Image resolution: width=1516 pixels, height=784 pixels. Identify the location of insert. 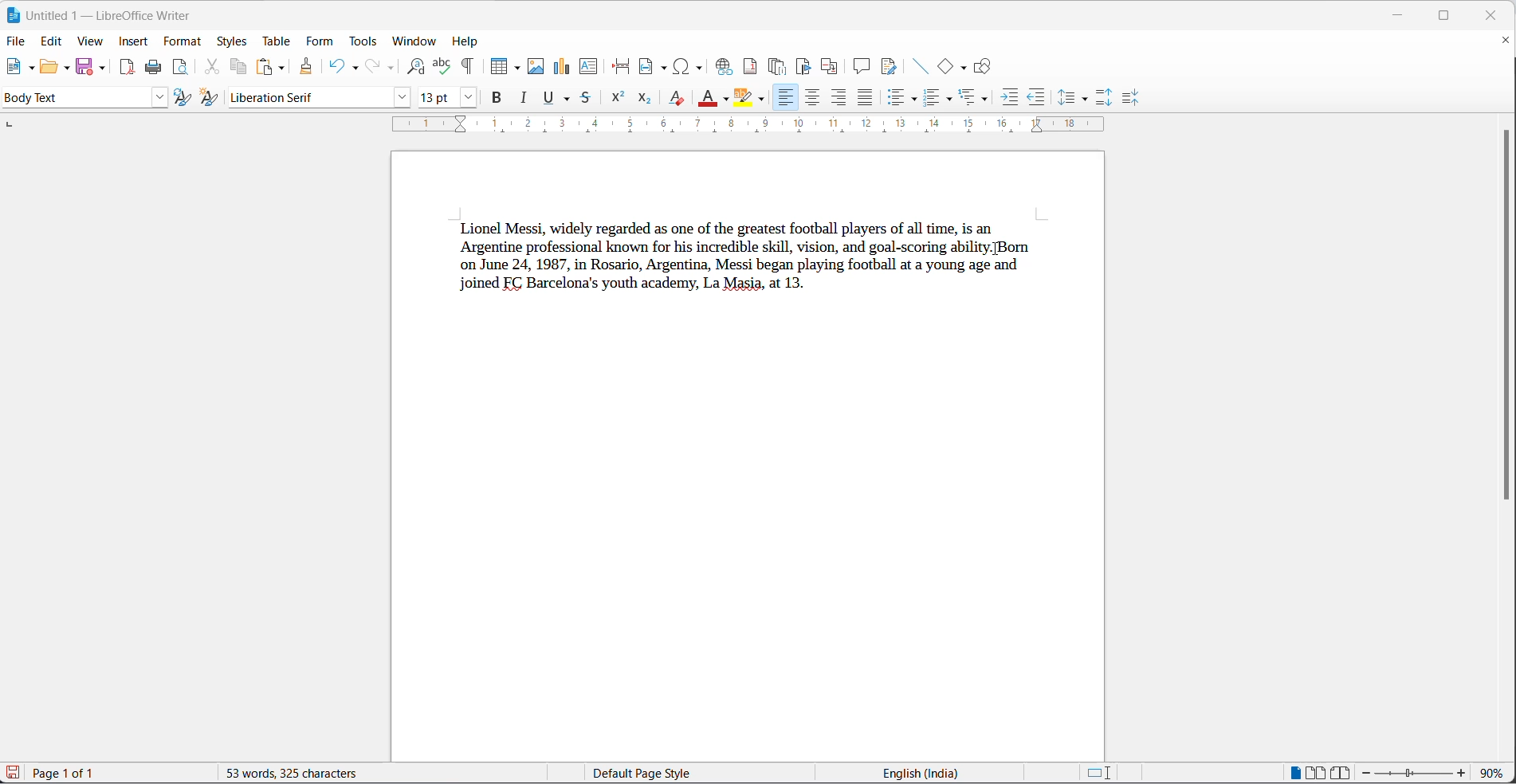
(133, 41).